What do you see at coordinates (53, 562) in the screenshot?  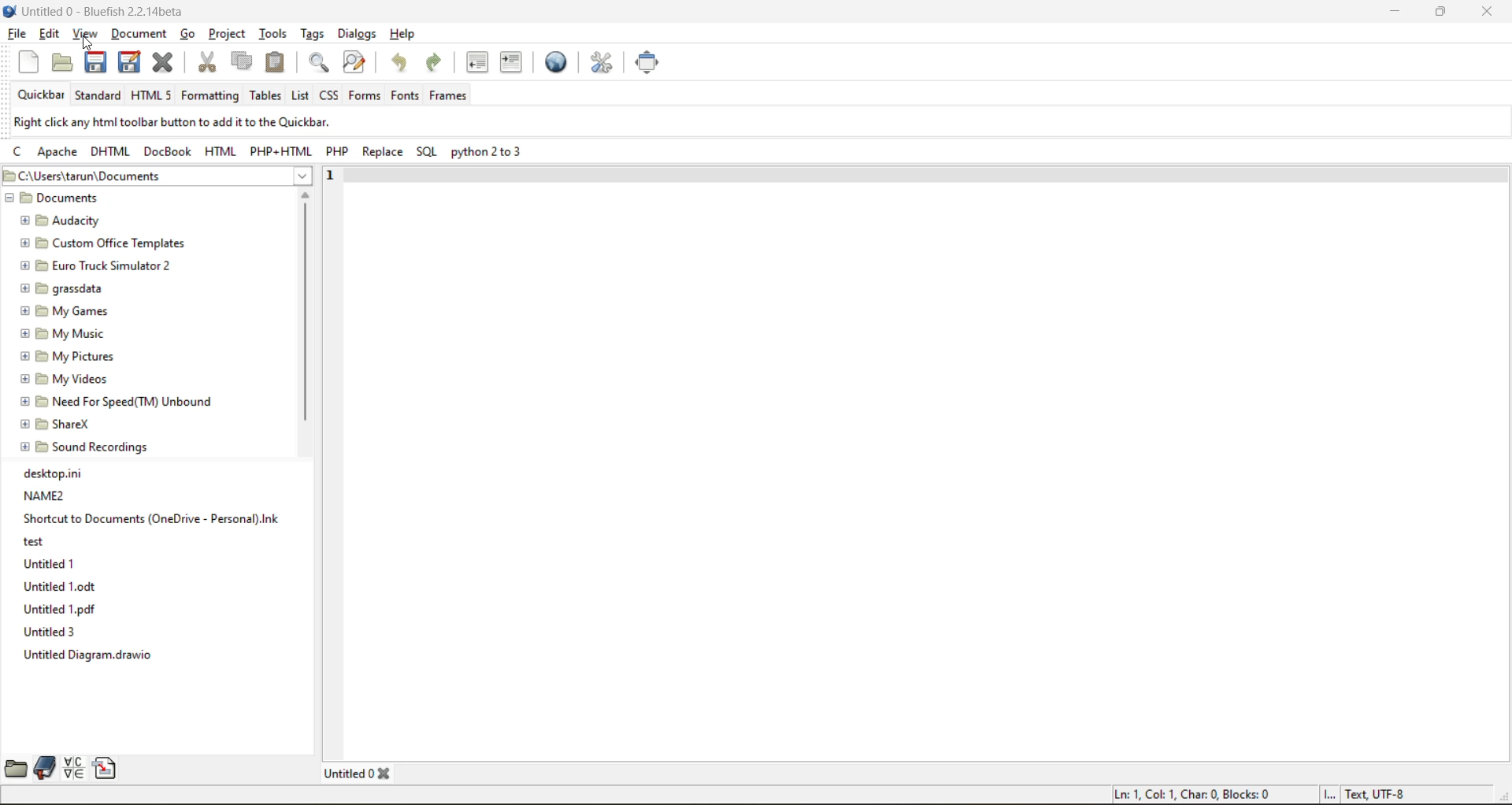 I see `Untitled 1` at bounding box center [53, 562].